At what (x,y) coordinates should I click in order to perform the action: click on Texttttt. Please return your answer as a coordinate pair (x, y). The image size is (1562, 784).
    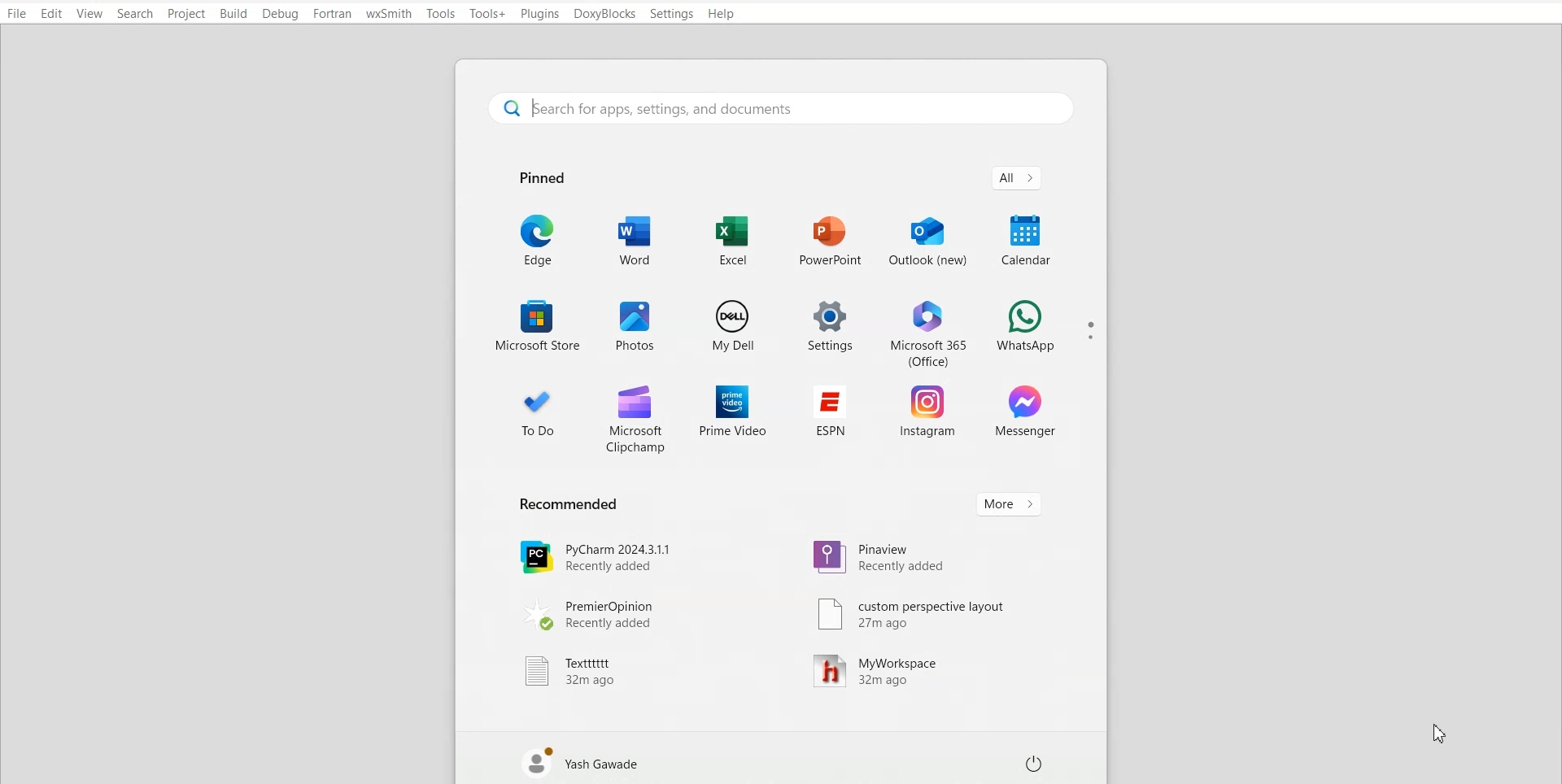
    Looking at the image, I should click on (572, 671).